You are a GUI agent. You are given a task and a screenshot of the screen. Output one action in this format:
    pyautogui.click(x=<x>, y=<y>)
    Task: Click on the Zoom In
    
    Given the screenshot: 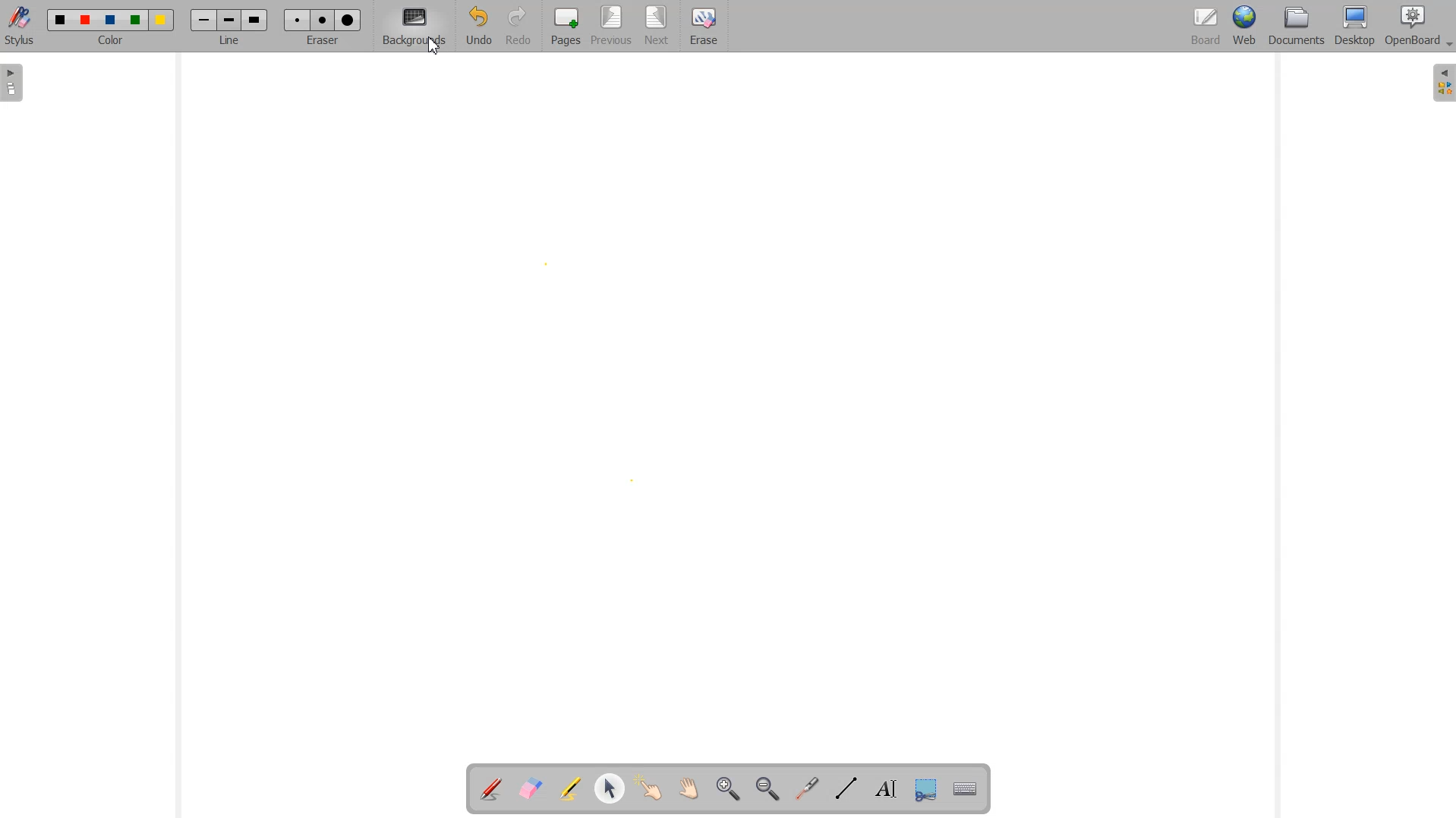 What is the action you would take?
    pyautogui.click(x=727, y=790)
    